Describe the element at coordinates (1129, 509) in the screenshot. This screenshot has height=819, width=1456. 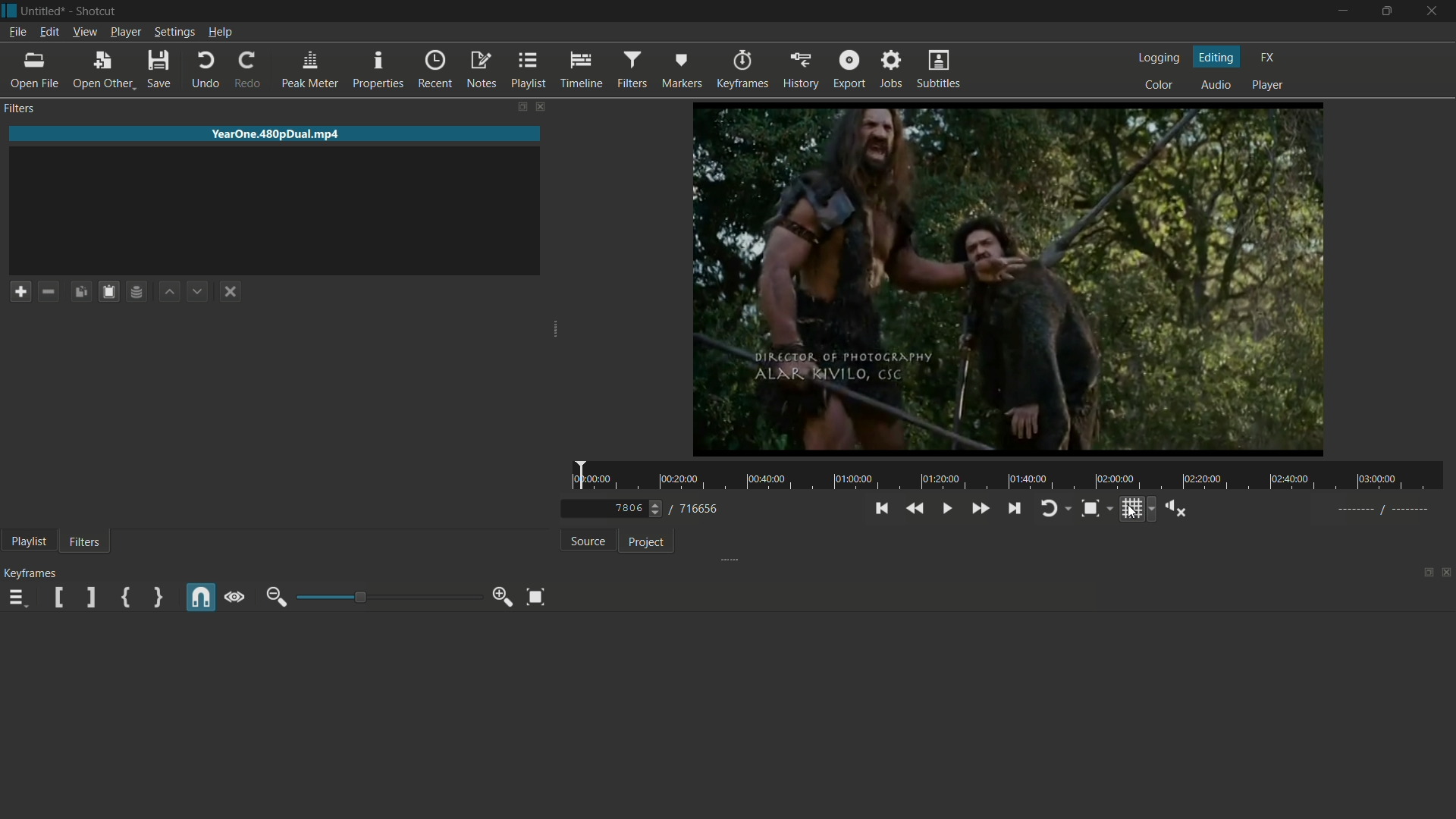
I see `toggle grid` at that location.